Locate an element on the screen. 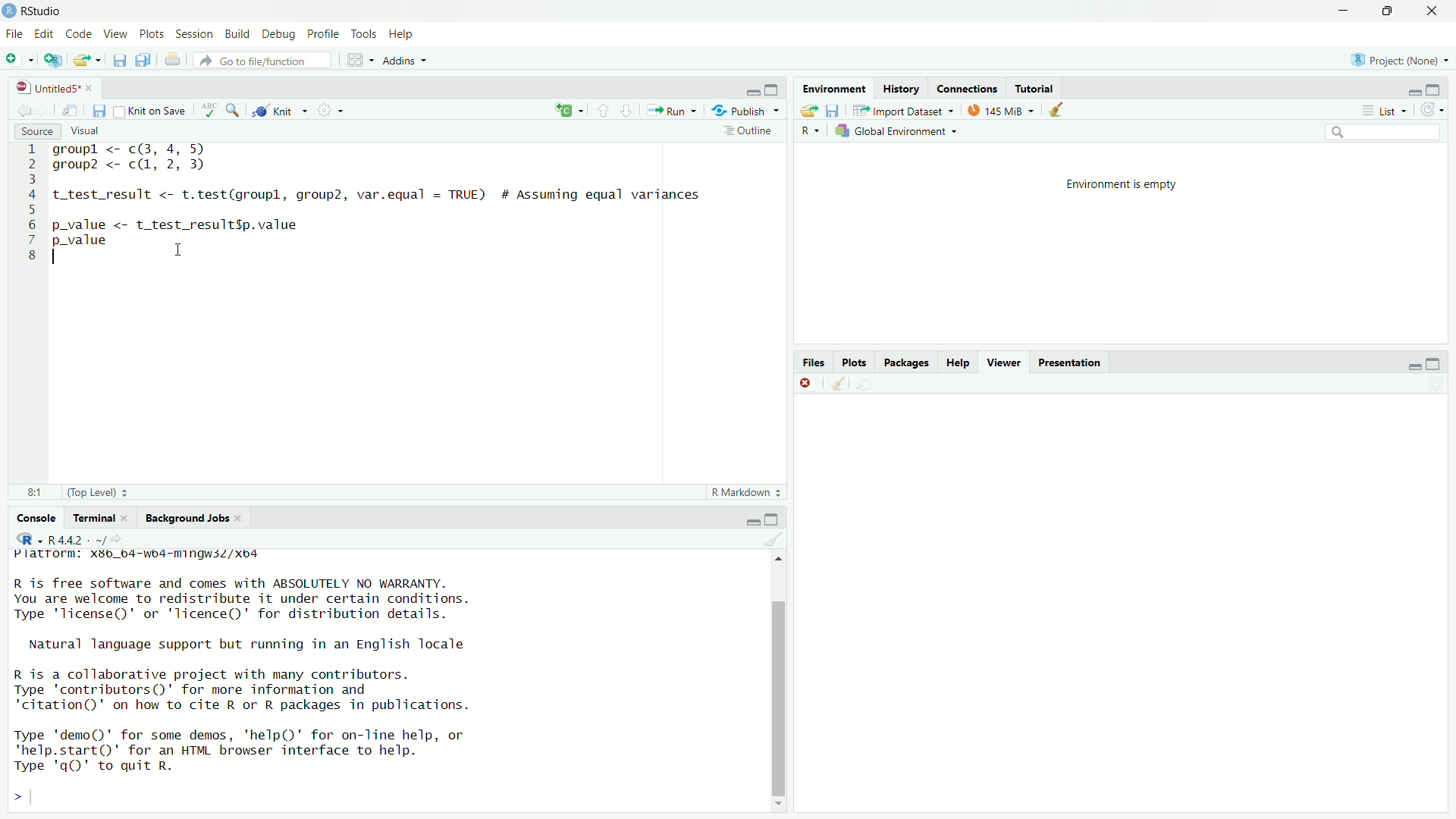 The width and height of the screenshot is (1456, 819). @ Knit ~ is located at coordinates (278, 111).